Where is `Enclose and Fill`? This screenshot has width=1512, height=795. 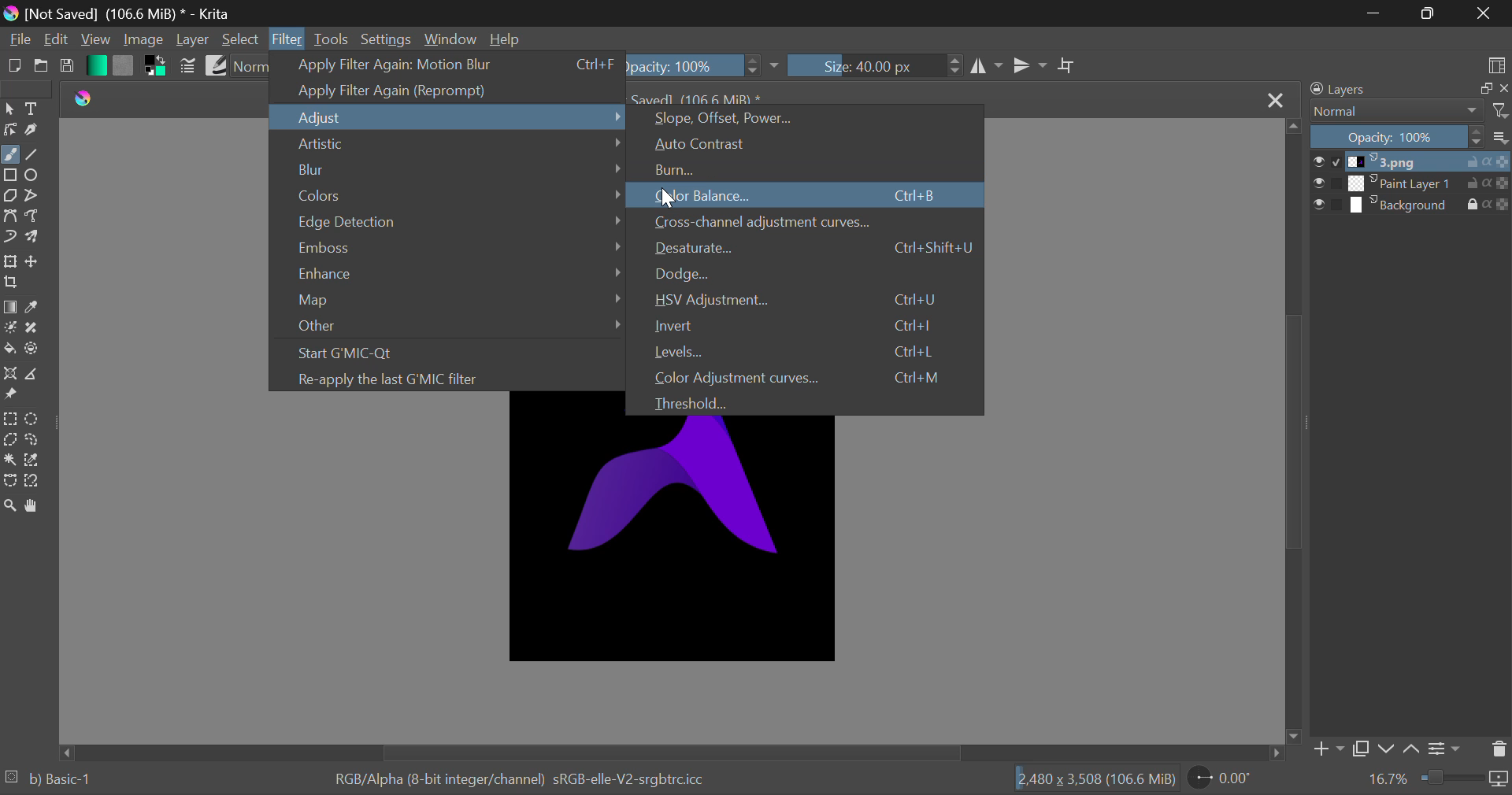
Enclose and Fill is located at coordinates (33, 349).